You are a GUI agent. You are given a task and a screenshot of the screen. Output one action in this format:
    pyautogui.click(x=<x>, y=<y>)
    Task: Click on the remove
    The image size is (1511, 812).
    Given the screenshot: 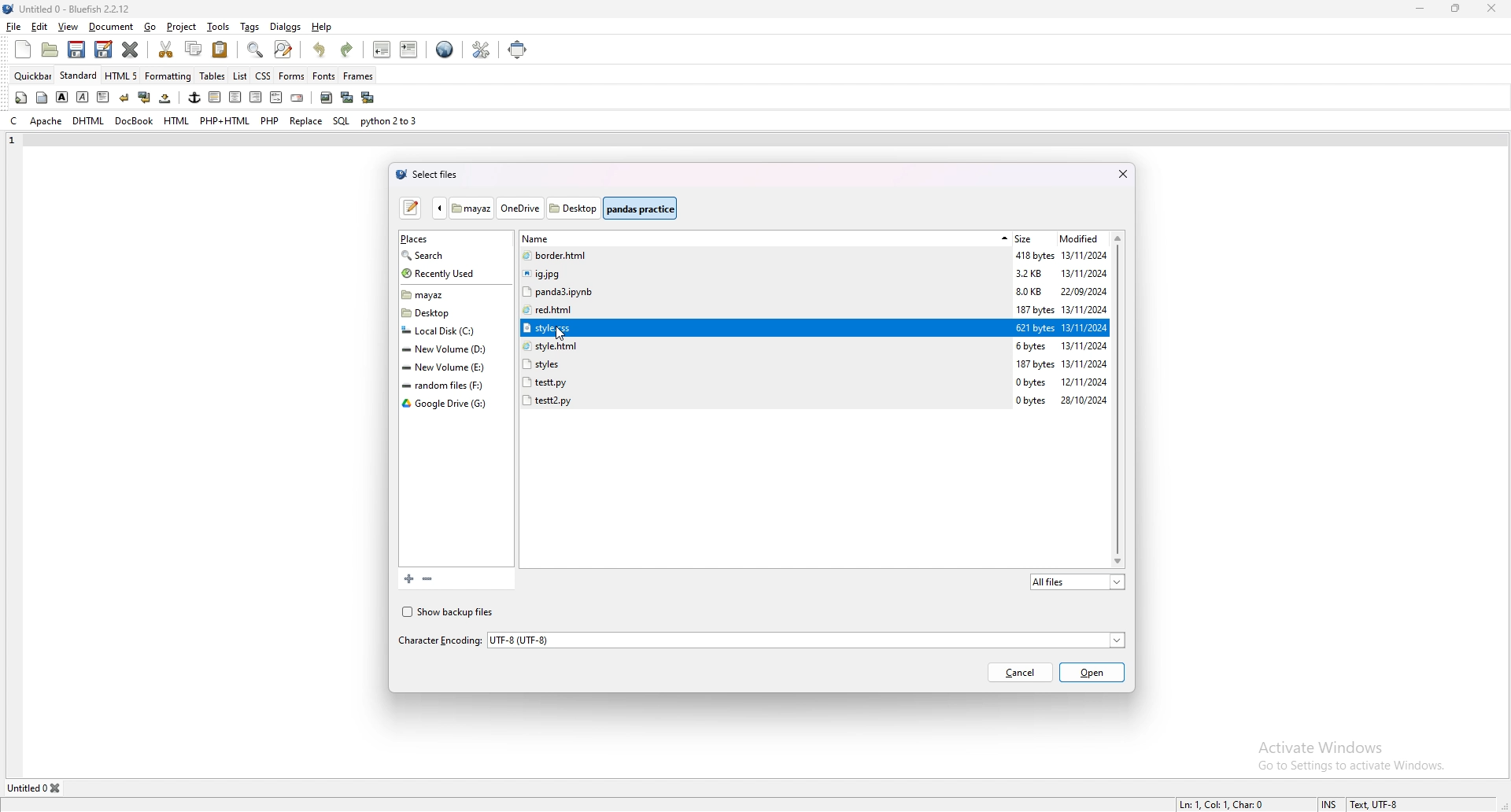 What is the action you would take?
    pyautogui.click(x=427, y=578)
    